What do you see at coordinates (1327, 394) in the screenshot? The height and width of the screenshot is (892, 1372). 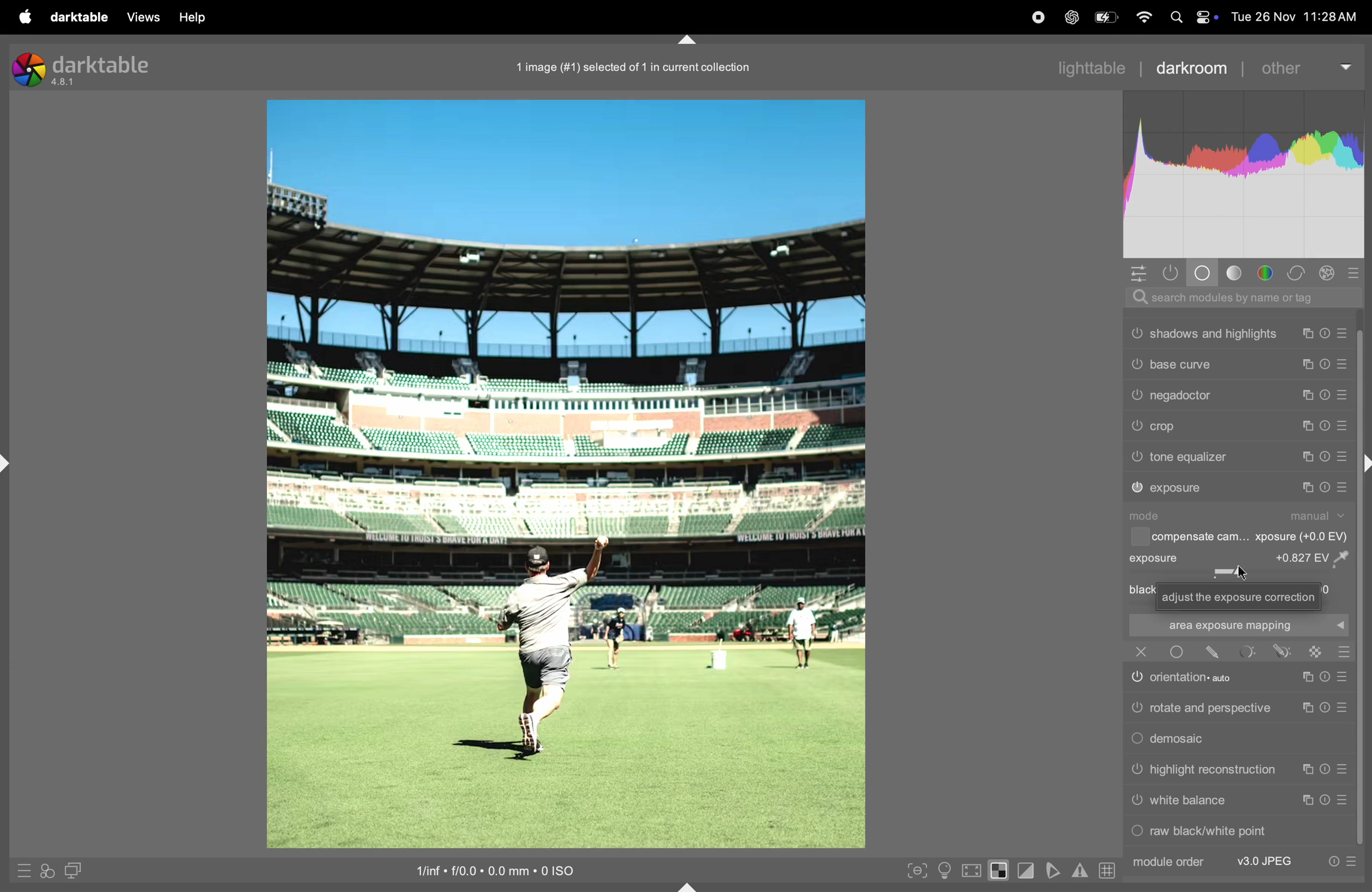 I see `reset presets` at bounding box center [1327, 394].